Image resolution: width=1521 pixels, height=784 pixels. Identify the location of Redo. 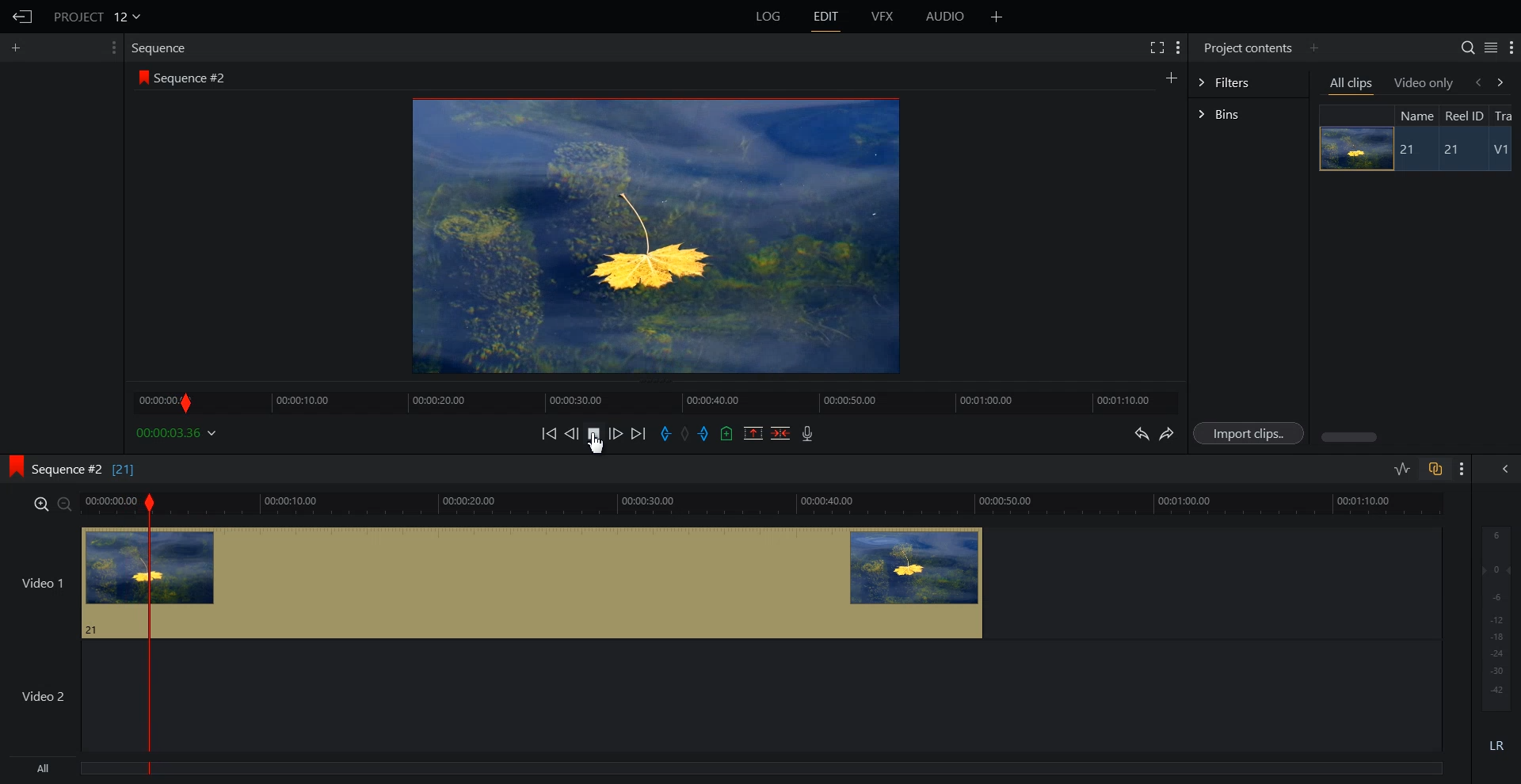
(1168, 434).